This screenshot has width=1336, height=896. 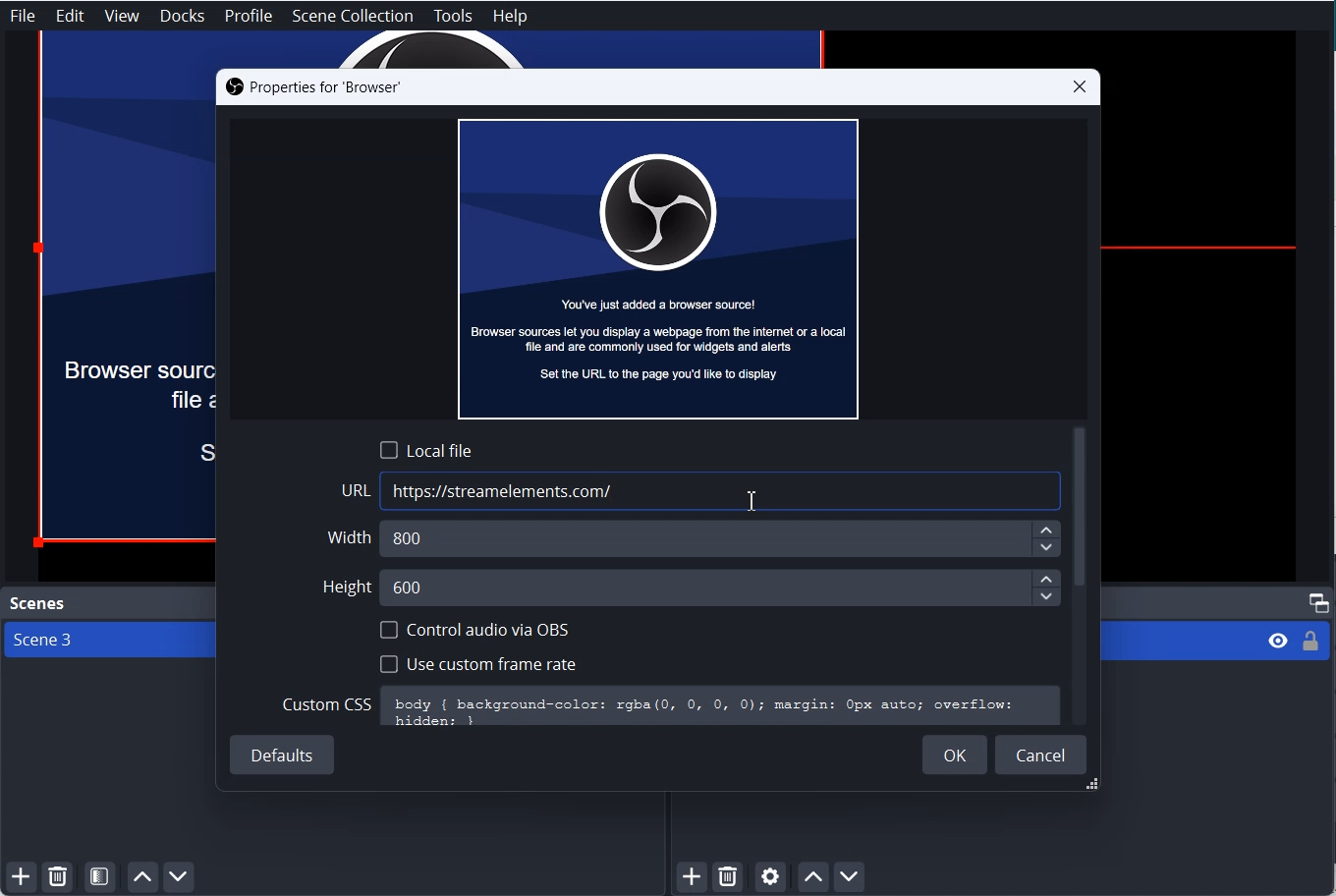 I want to click on lock, so click(x=1309, y=644).